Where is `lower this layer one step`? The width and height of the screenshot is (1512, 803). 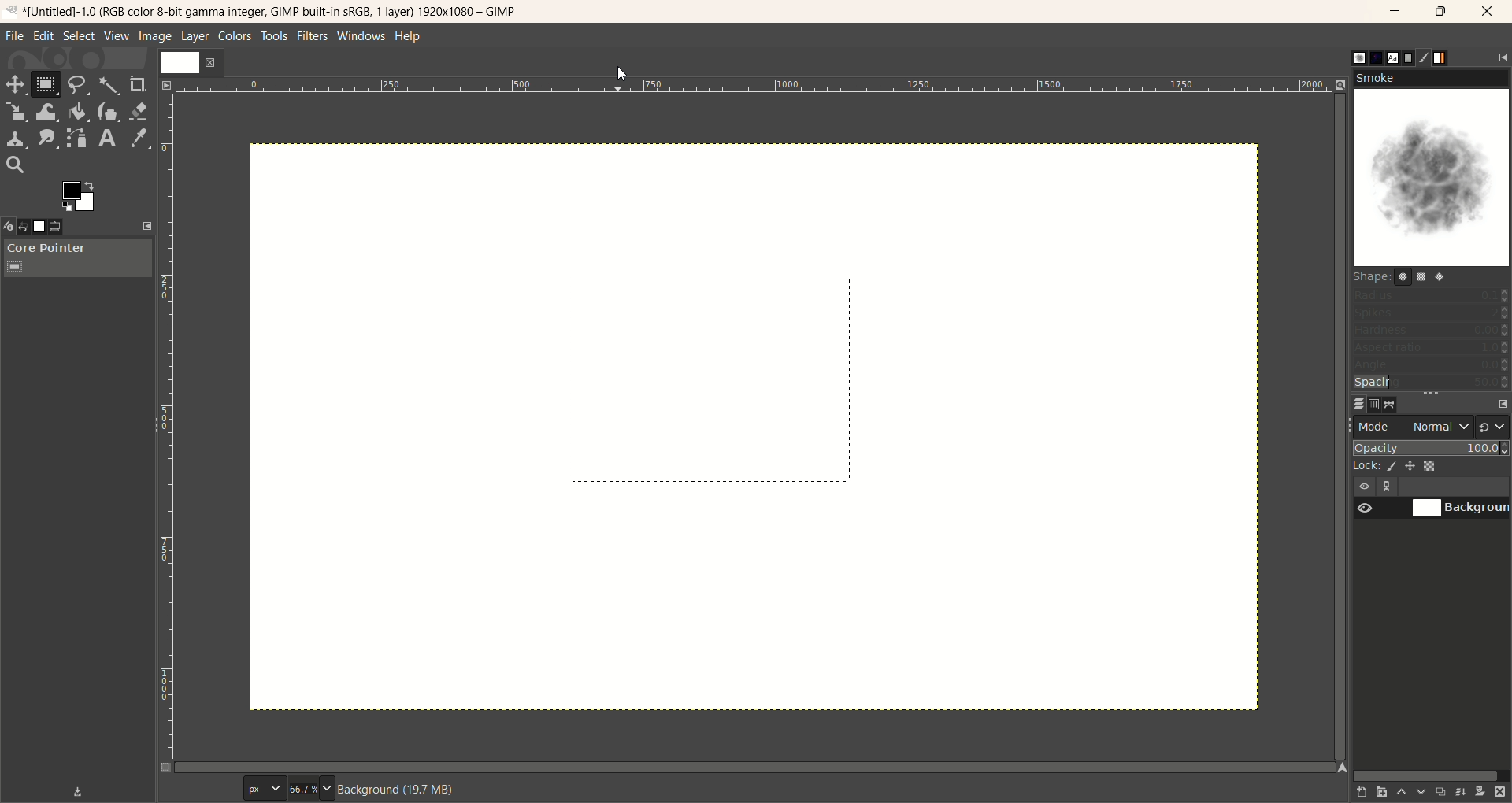 lower this layer one step is located at coordinates (1421, 792).